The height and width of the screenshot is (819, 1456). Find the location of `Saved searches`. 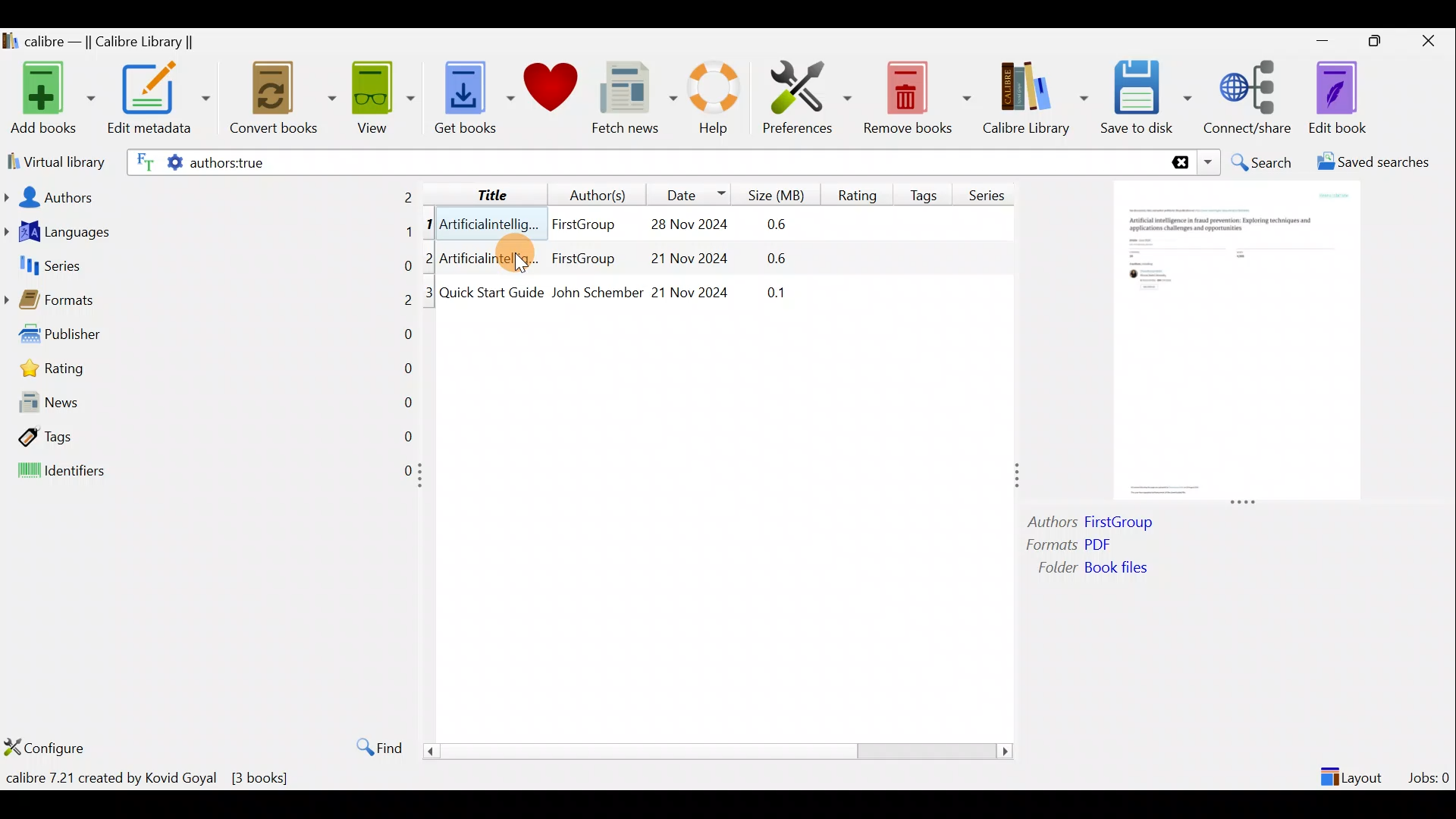

Saved searches is located at coordinates (1378, 164).